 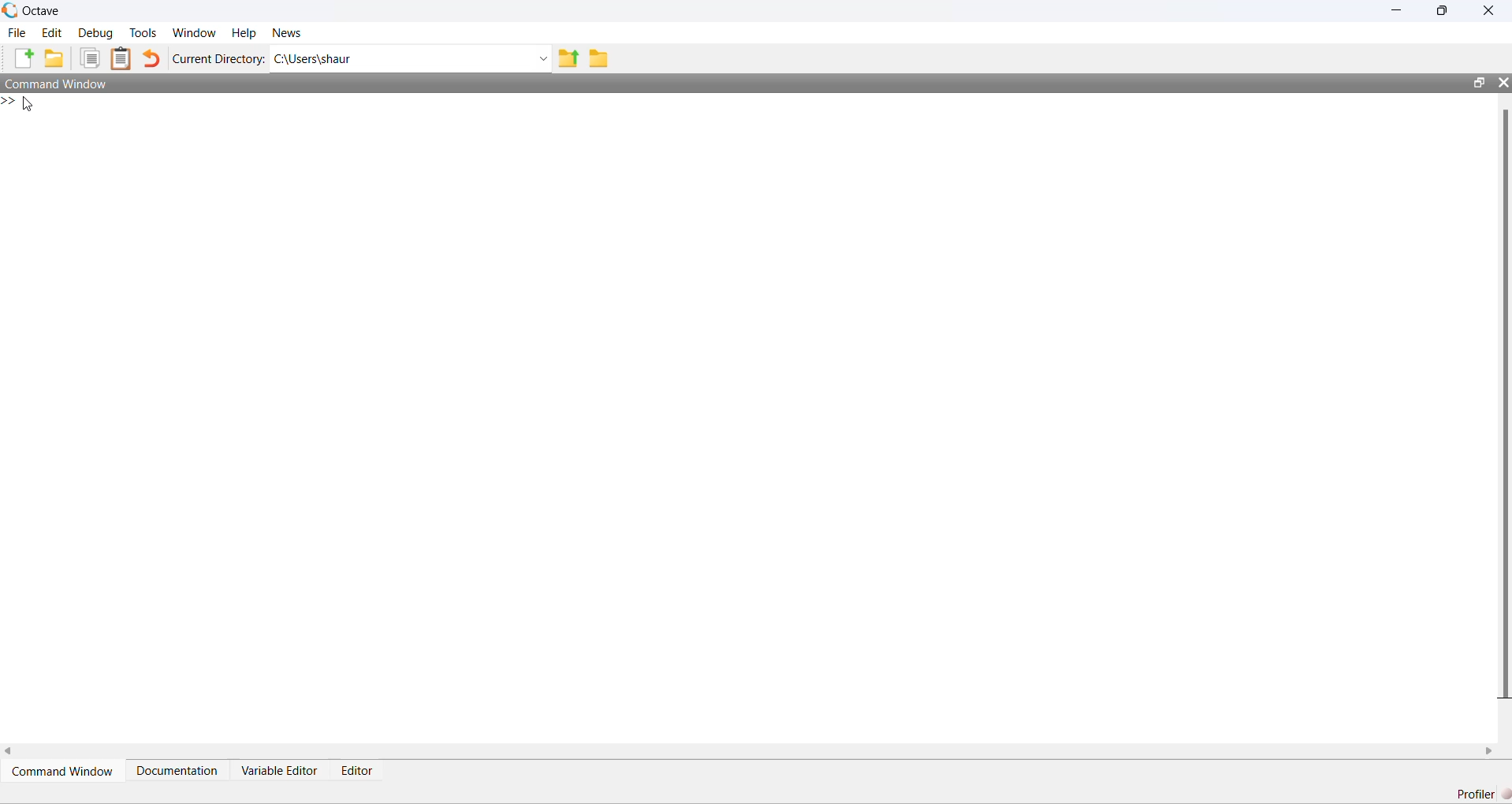 What do you see at coordinates (568, 58) in the screenshot?
I see `share folder` at bounding box center [568, 58].